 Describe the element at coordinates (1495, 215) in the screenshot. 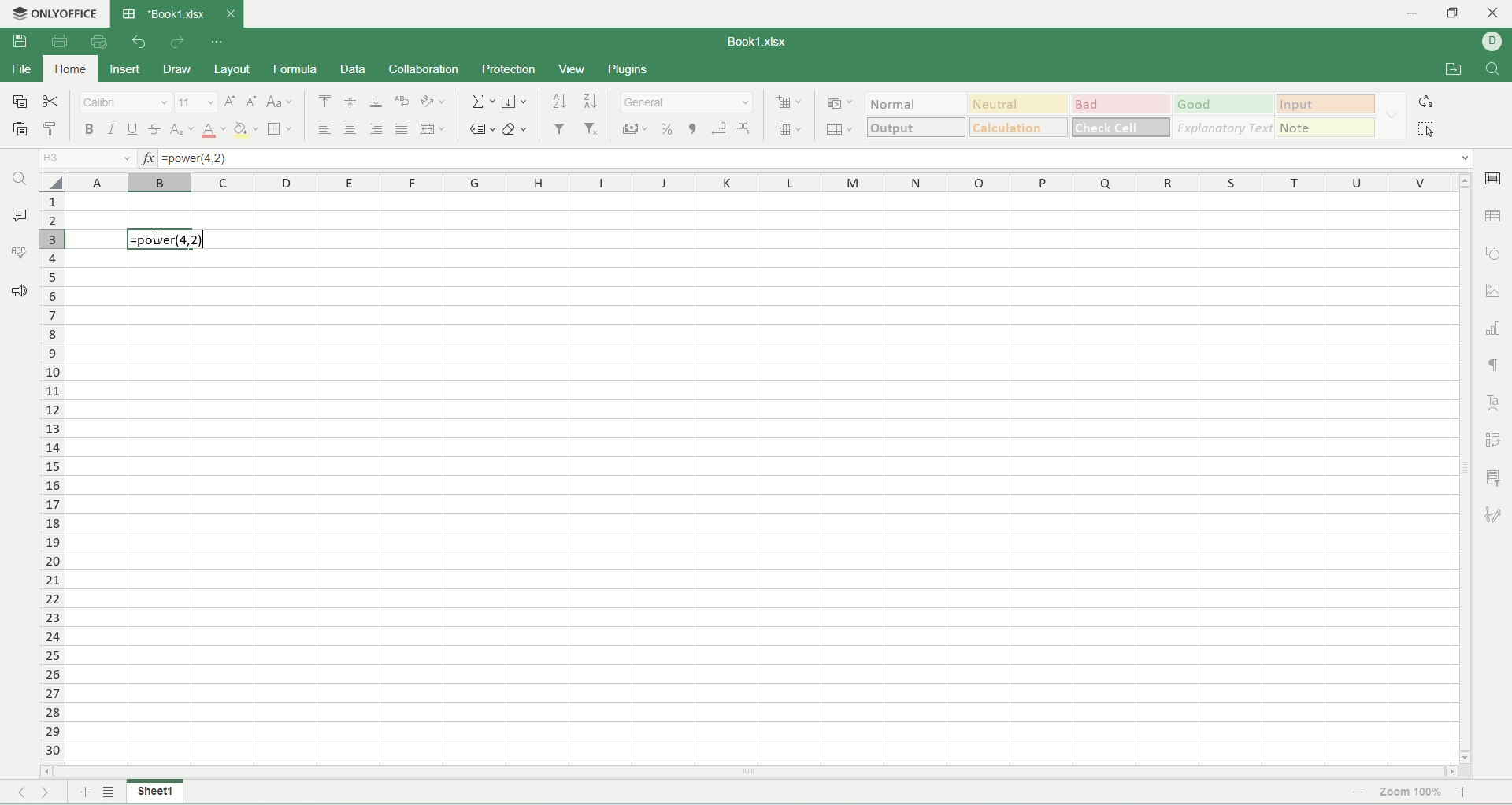

I see `table setting` at that location.